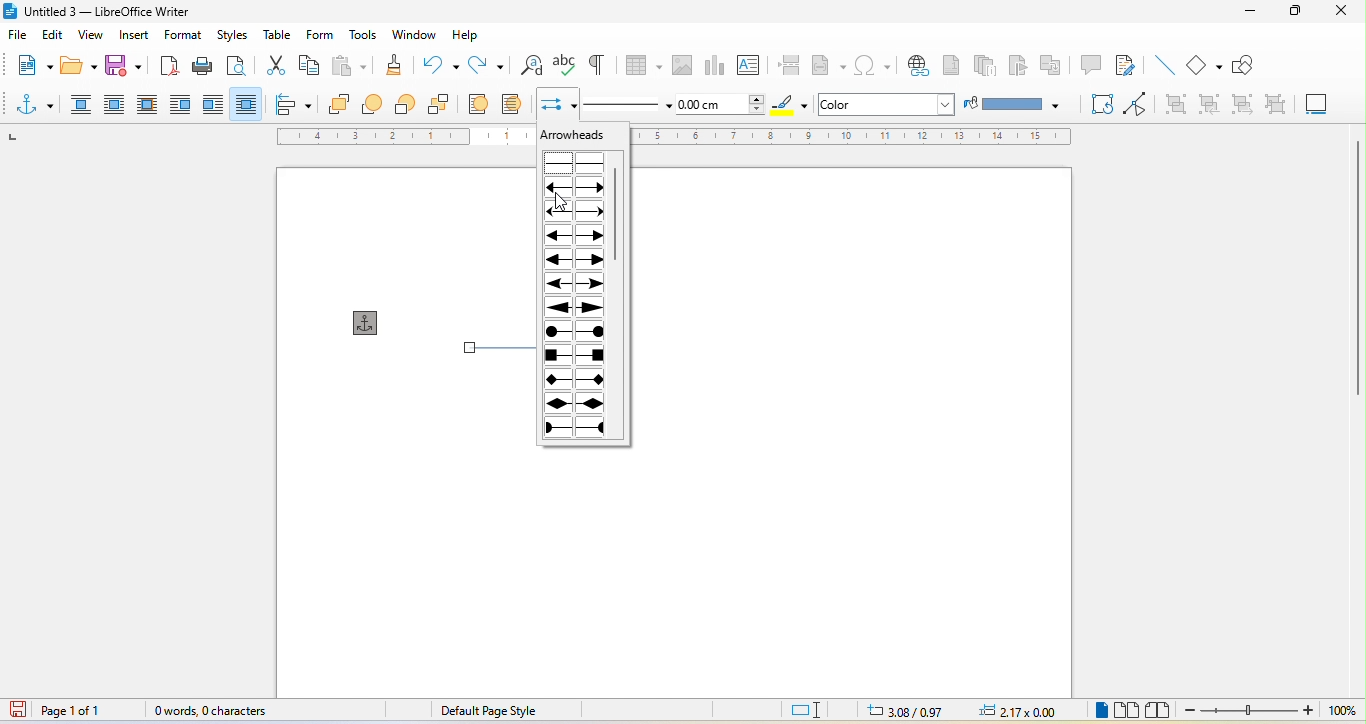 The width and height of the screenshot is (1366, 724). Describe the element at coordinates (1294, 13) in the screenshot. I see `maximize` at that location.